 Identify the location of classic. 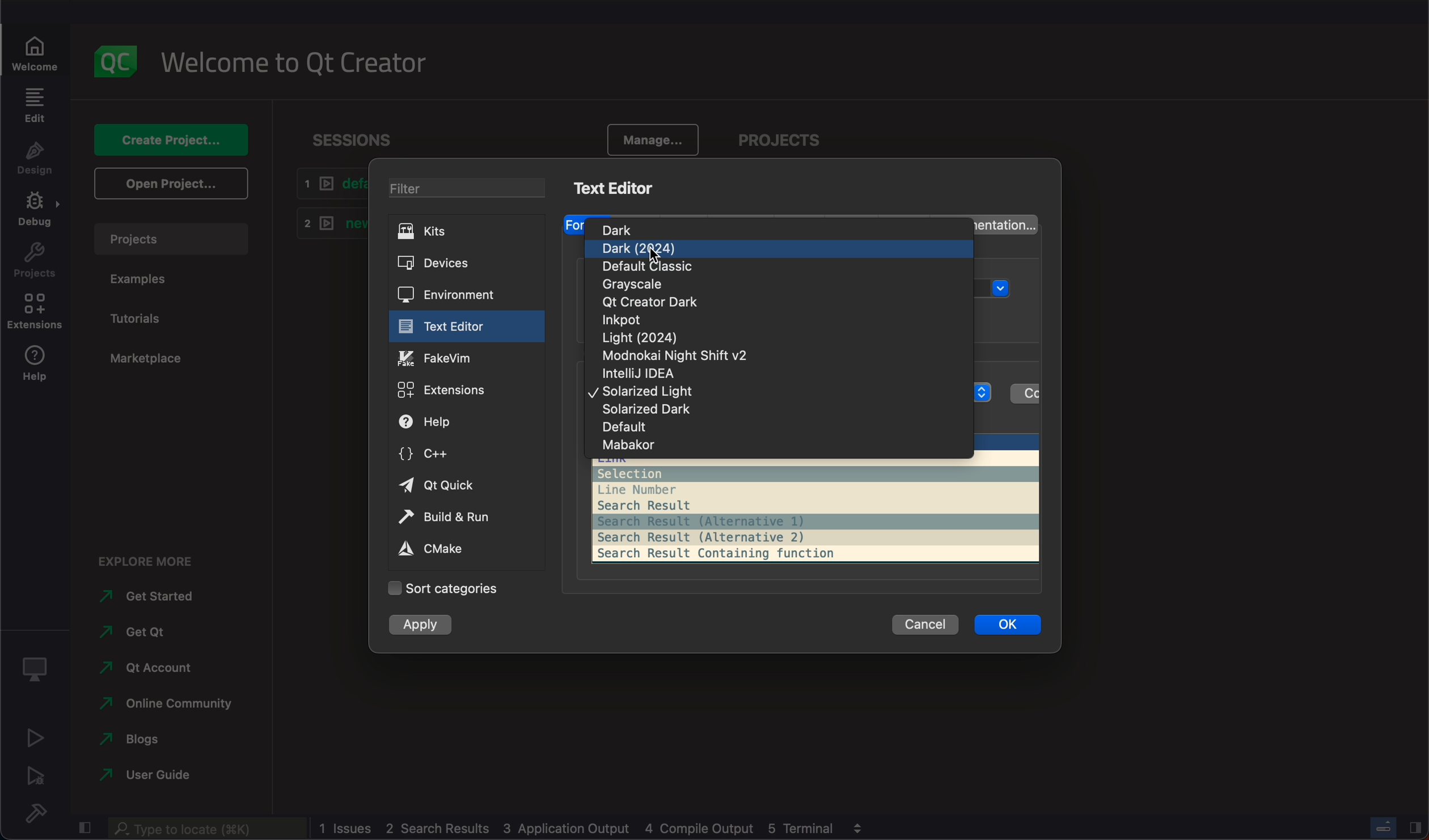
(671, 267).